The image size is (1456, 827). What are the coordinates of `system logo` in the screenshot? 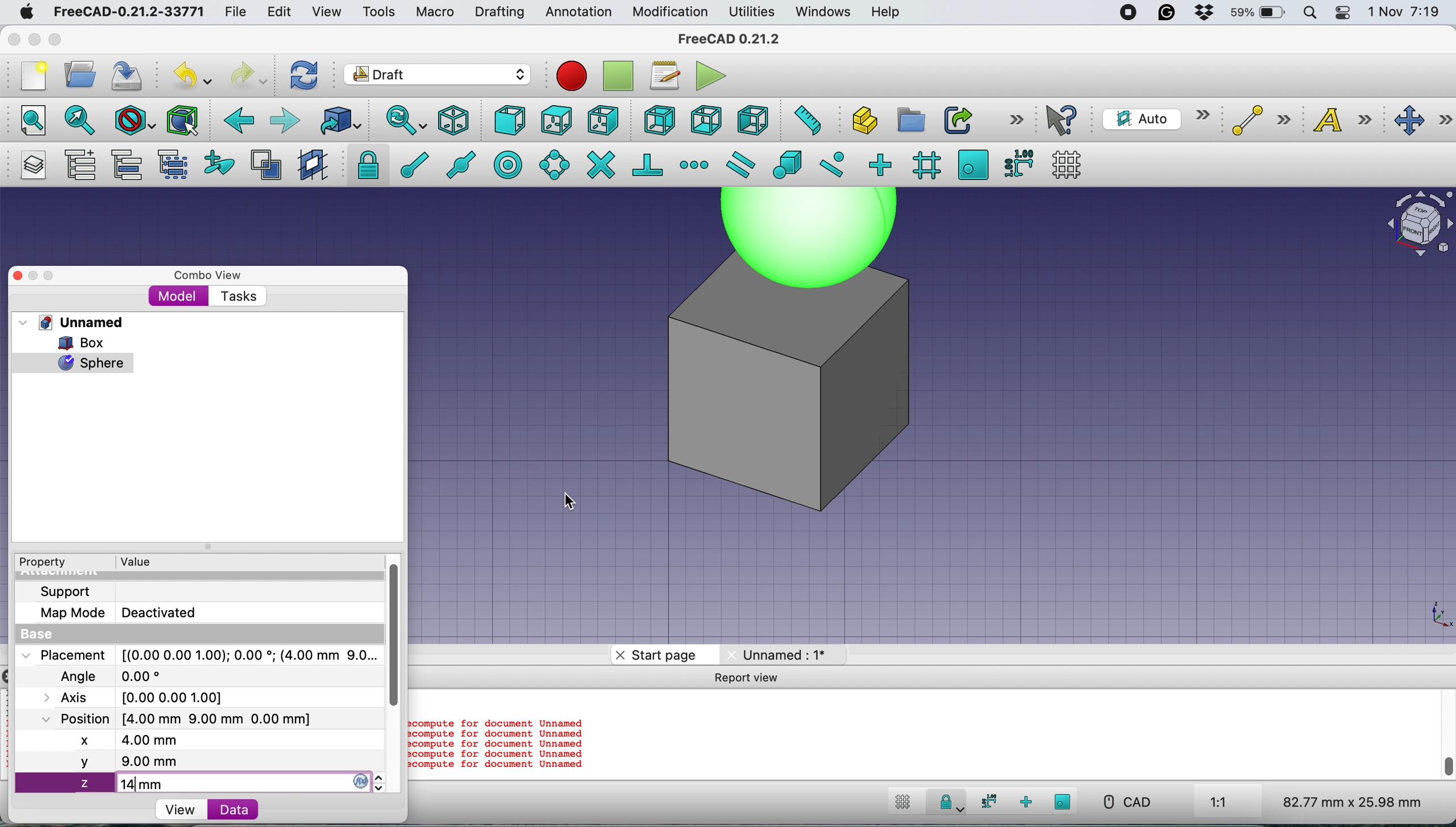 It's located at (28, 12).